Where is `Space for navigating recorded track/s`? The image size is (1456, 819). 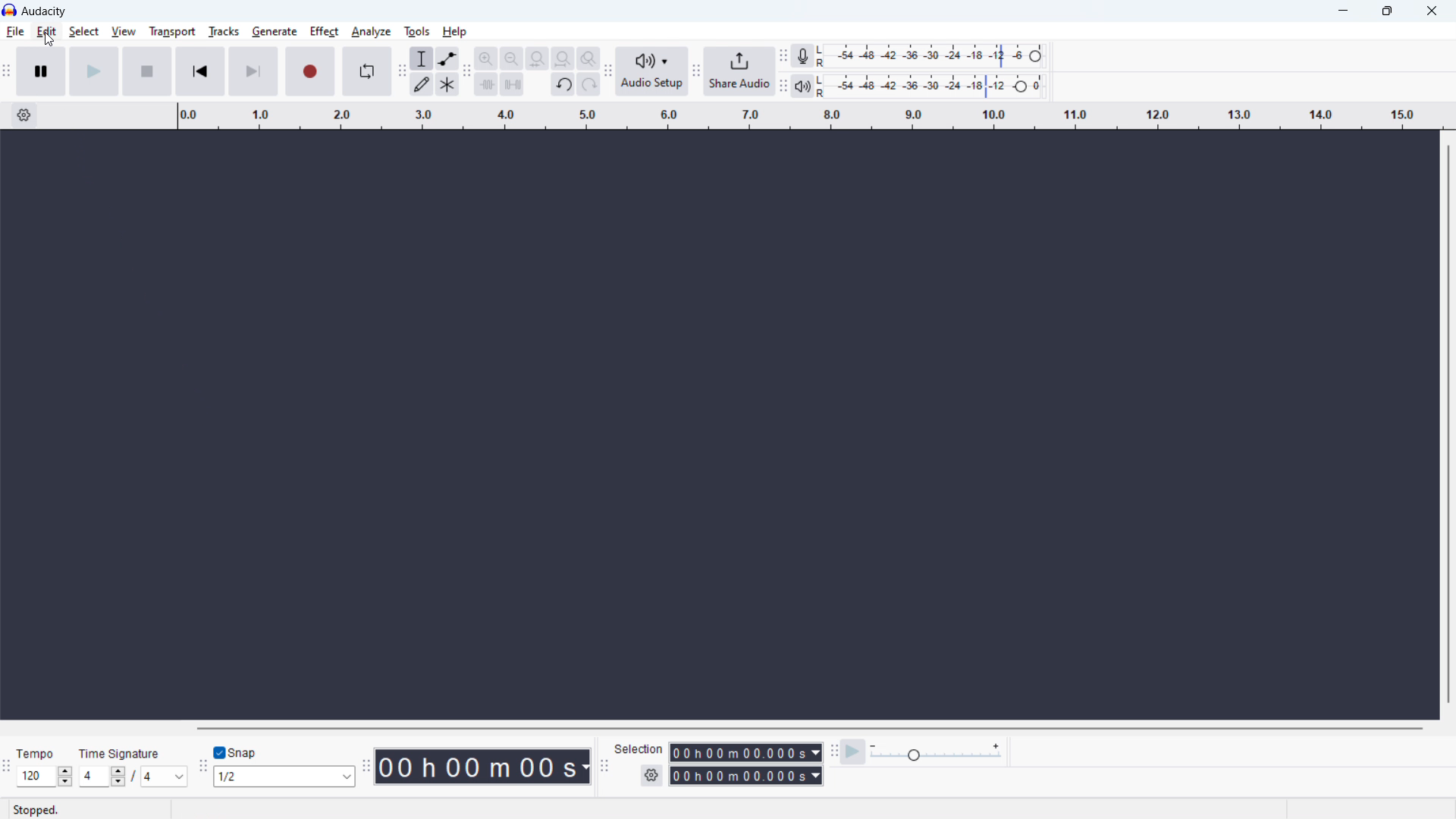
Space for navigating recorded track/s is located at coordinates (720, 426).